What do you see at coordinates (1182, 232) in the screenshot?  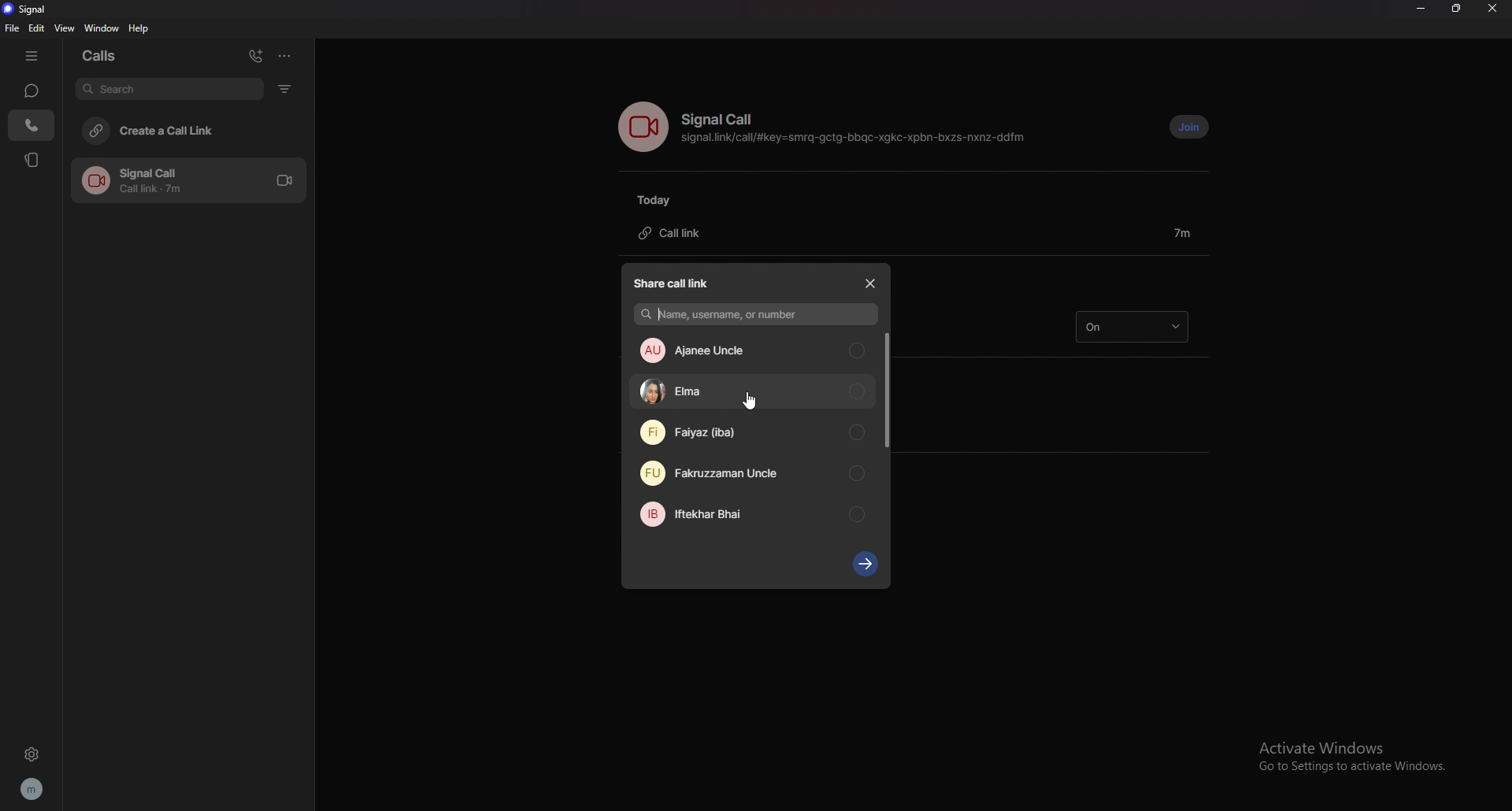 I see `duration` at bounding box center [1182, 232].